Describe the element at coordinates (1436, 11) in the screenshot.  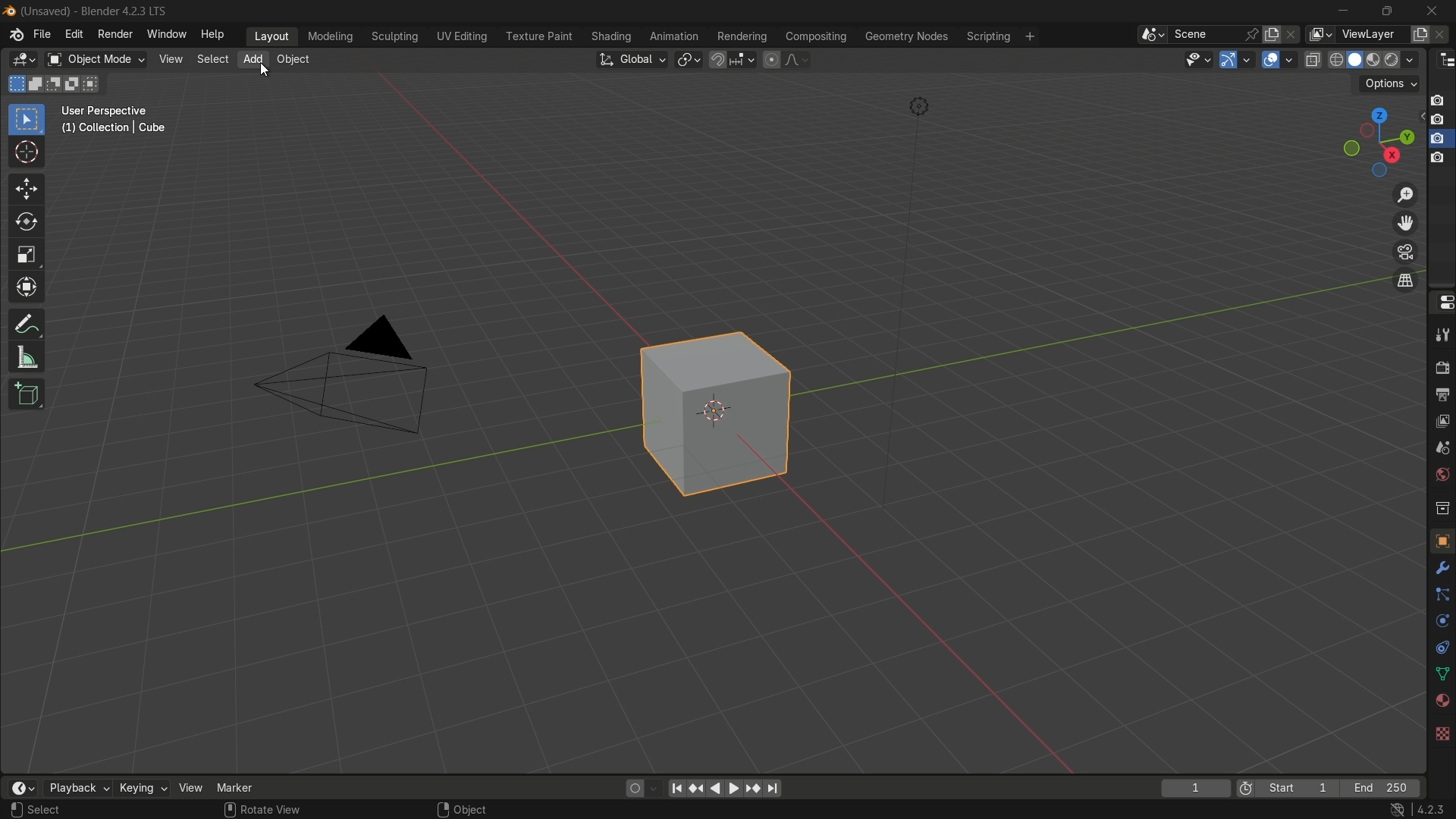
I see `close app` at that location.